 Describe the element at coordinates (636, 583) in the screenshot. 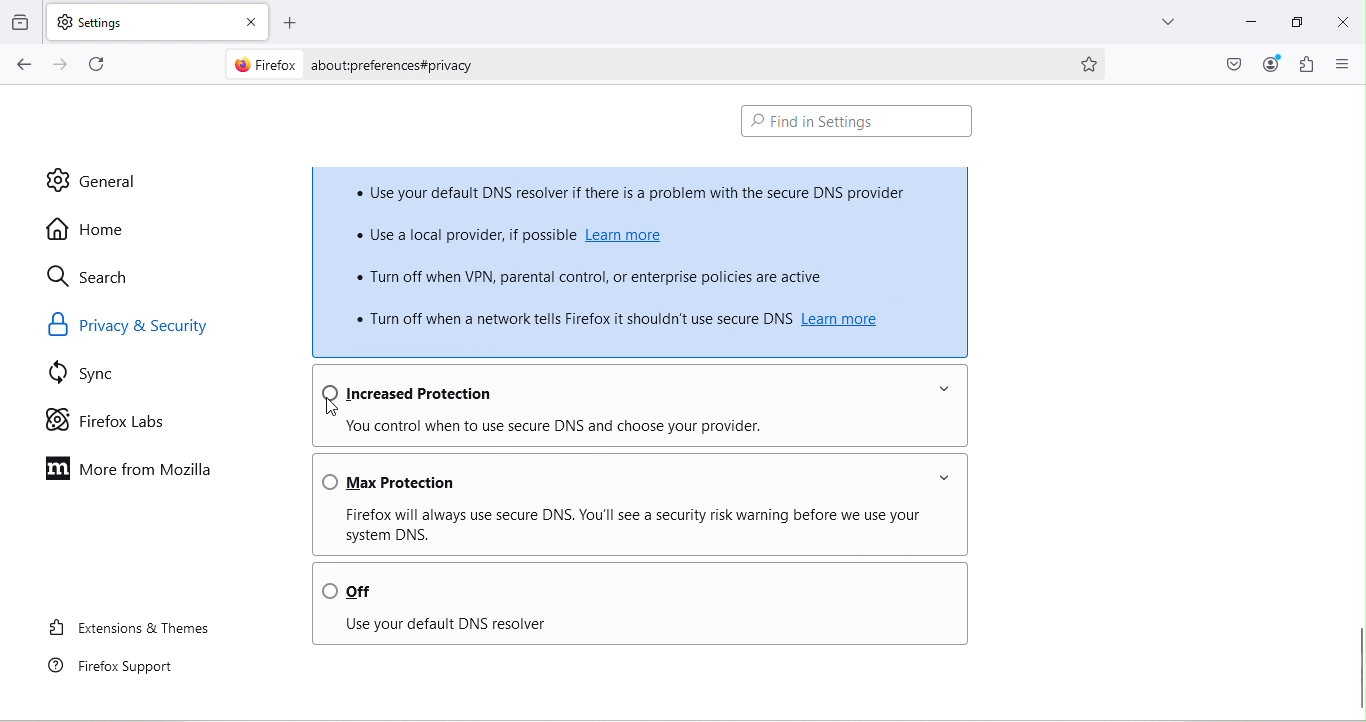

I see `Off` at that location.